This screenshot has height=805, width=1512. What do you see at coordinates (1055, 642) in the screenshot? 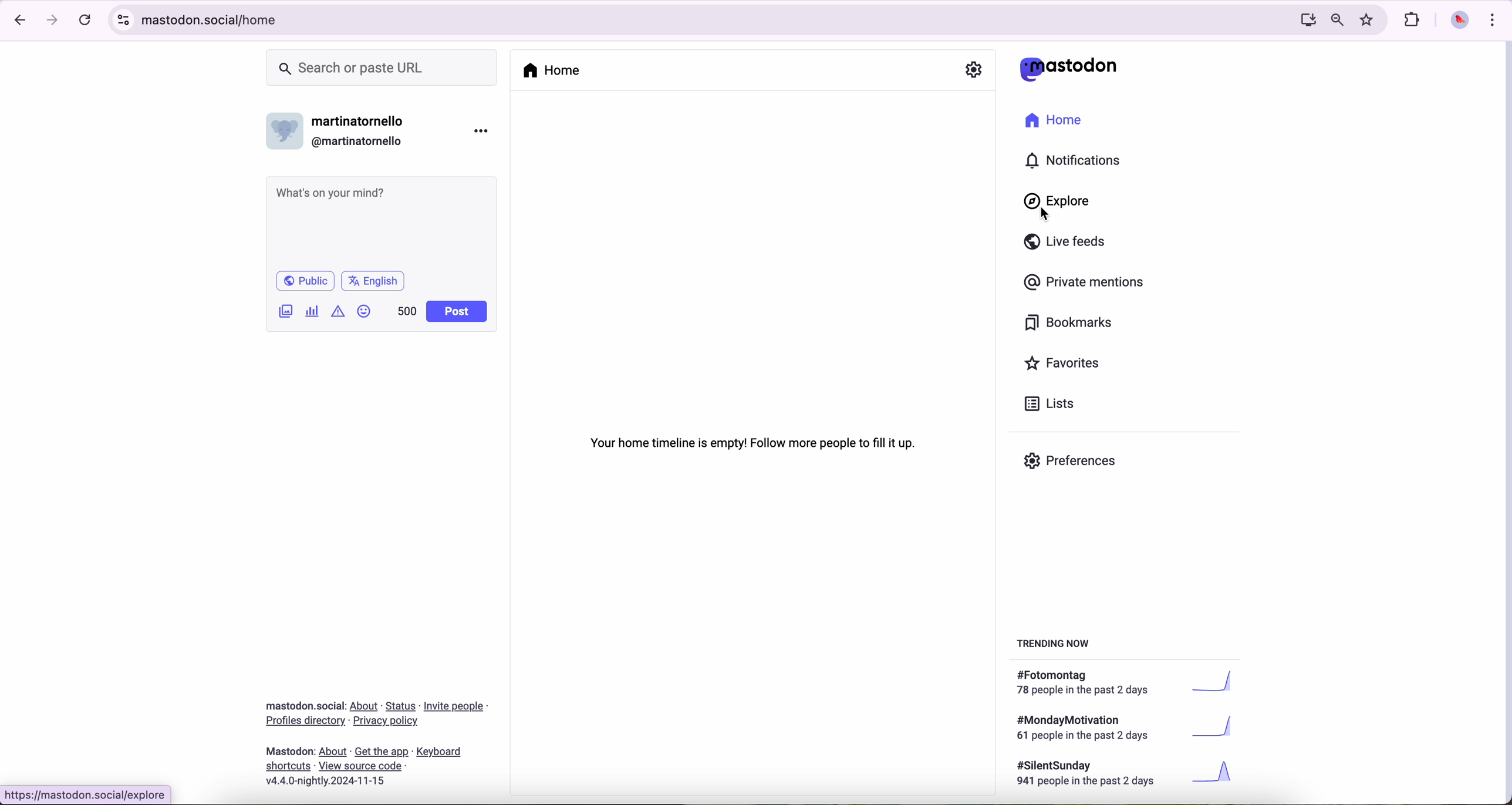
I see `trending now` at bounding box center [1055, 642].